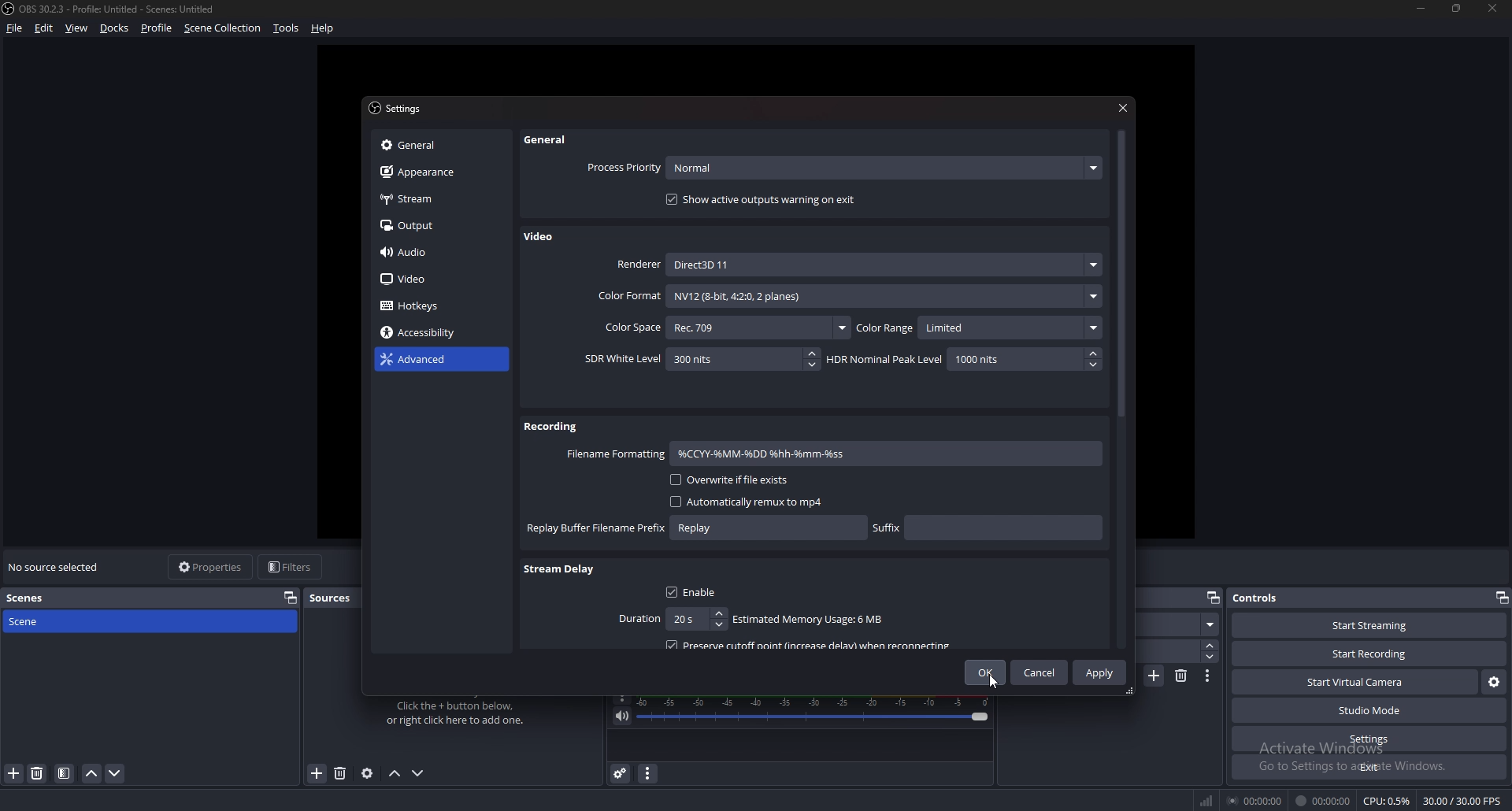  Describe the element at coordinates (419, 773) in the screenshot. I see `move sources down` at that location.